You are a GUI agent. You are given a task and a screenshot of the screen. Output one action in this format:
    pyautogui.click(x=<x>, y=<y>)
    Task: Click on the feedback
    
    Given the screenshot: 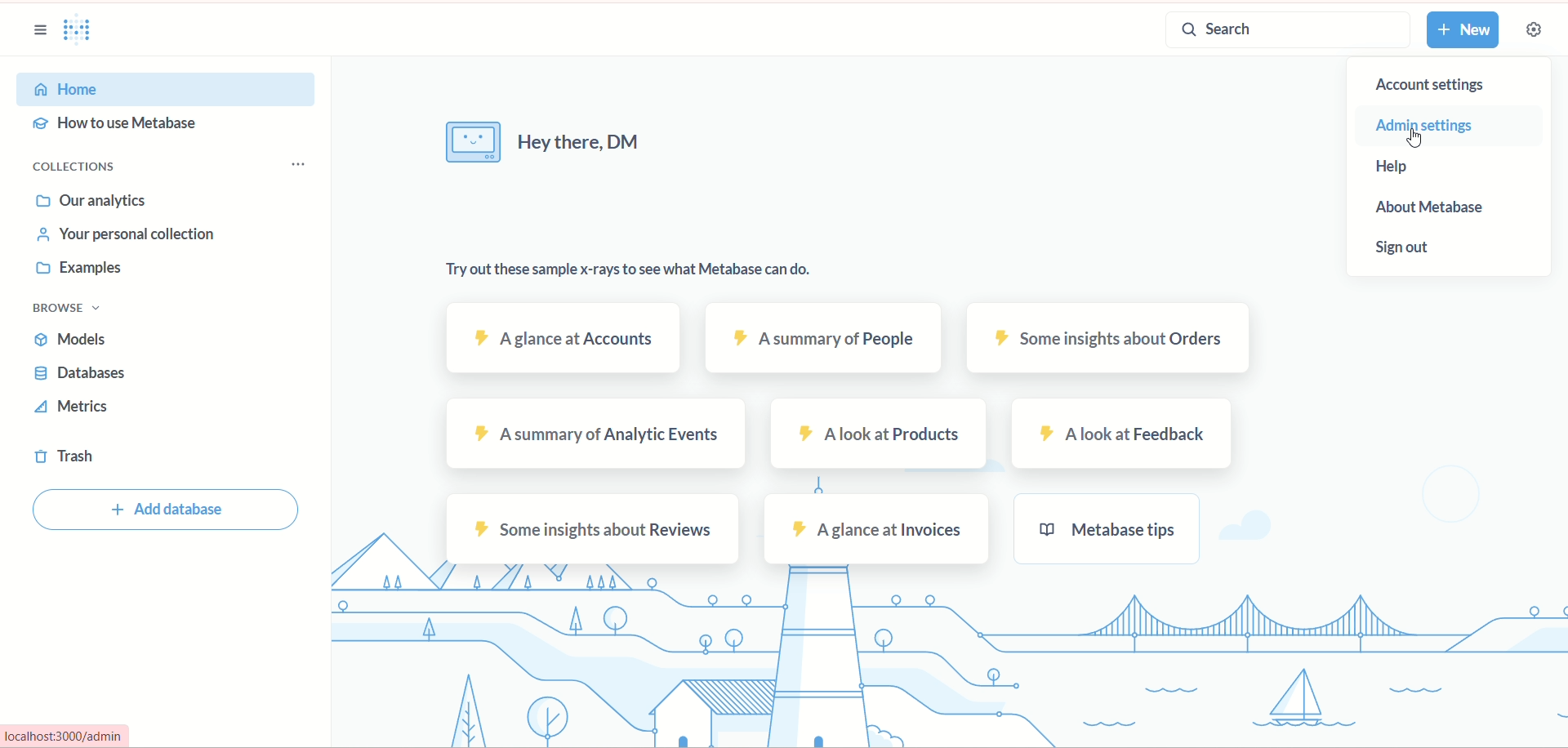 What is the action you would take?
    pyautogui.click(x=1124, y=435)
    